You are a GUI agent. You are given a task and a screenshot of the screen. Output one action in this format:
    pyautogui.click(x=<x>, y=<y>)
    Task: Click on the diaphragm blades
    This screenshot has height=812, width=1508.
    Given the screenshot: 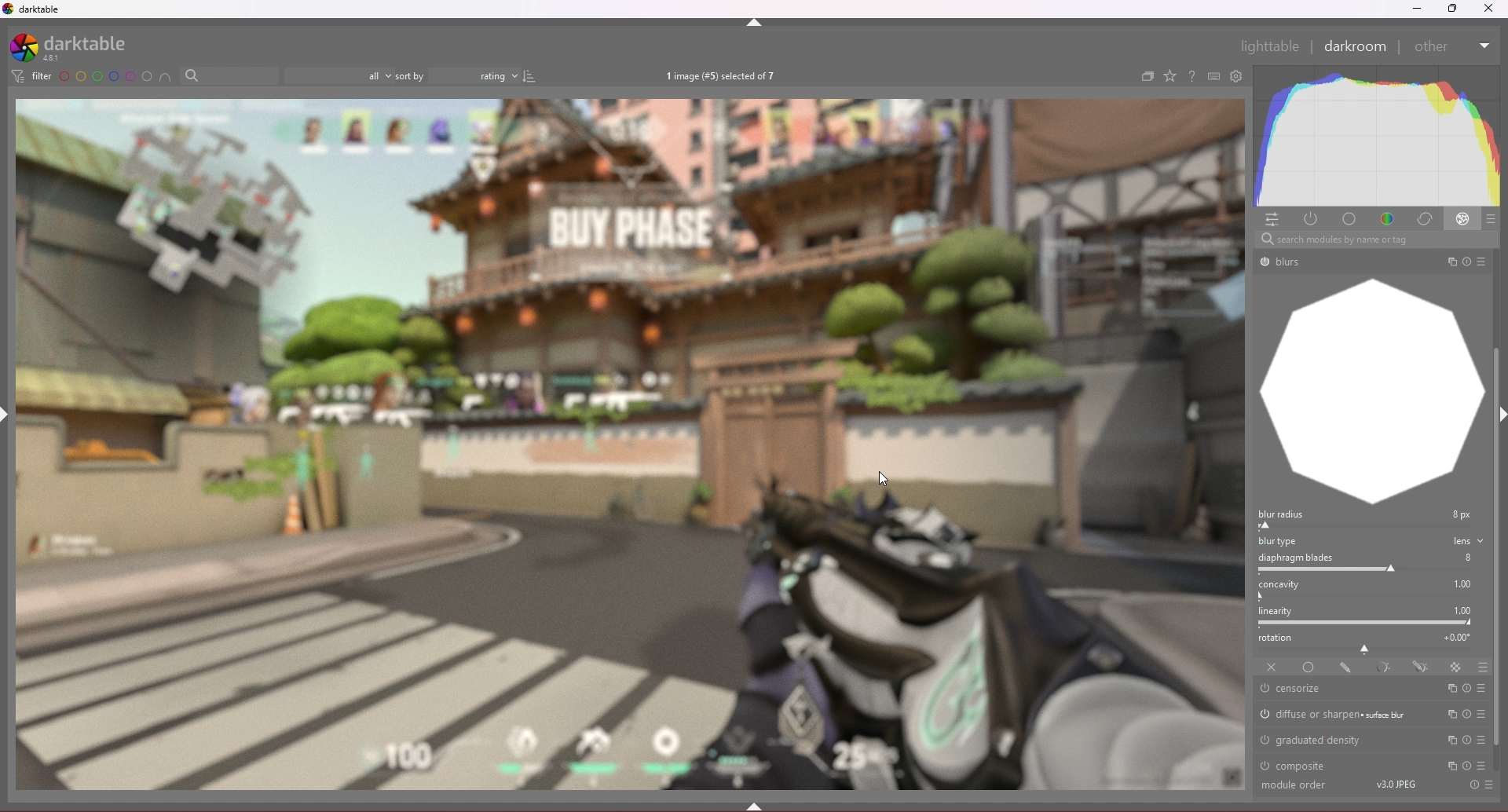 What is the action you would take?
    pyautogui.click(x=1370, y=563)
    